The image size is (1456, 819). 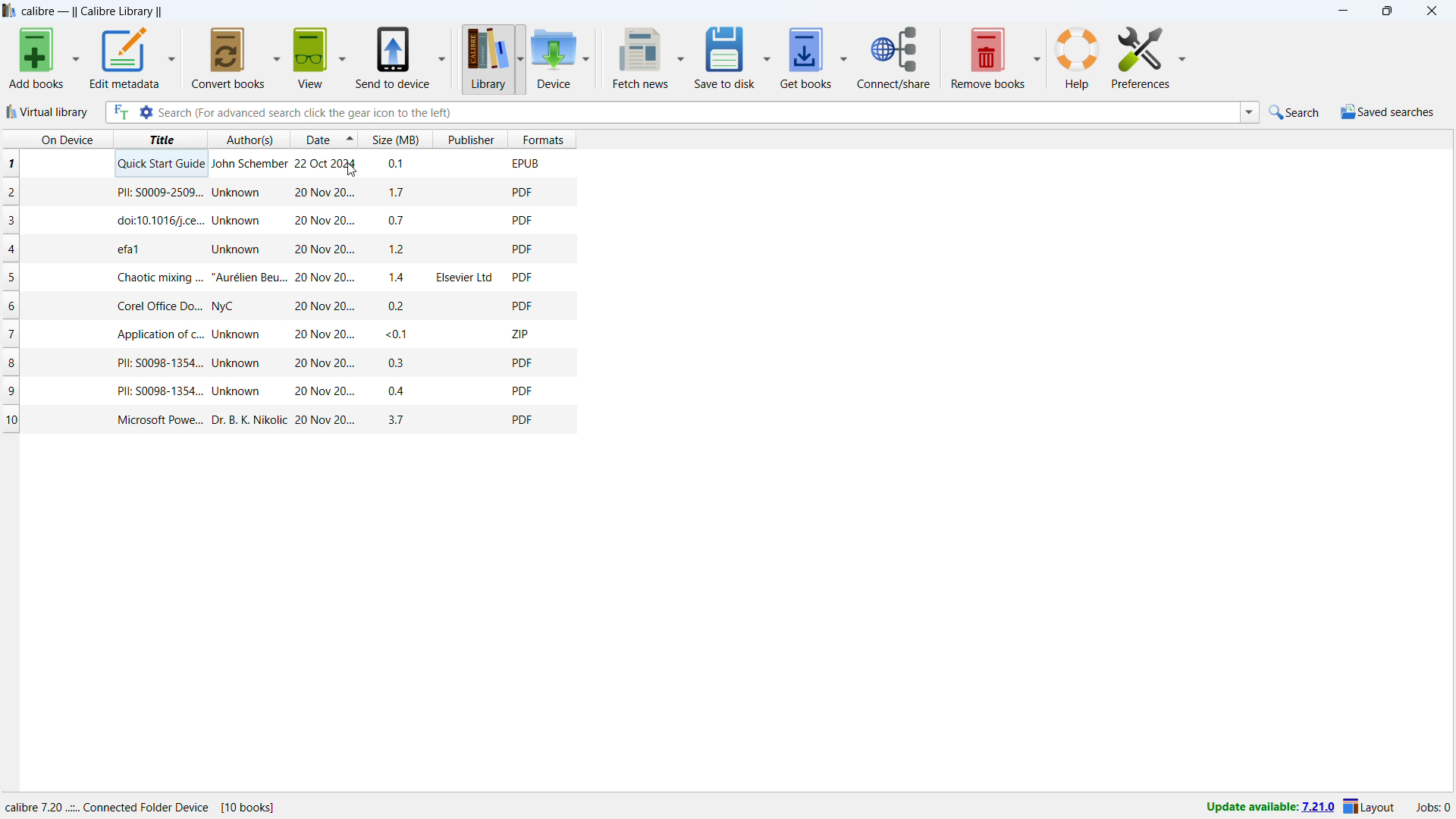 I want to click on library , so click(x=487, y=58).